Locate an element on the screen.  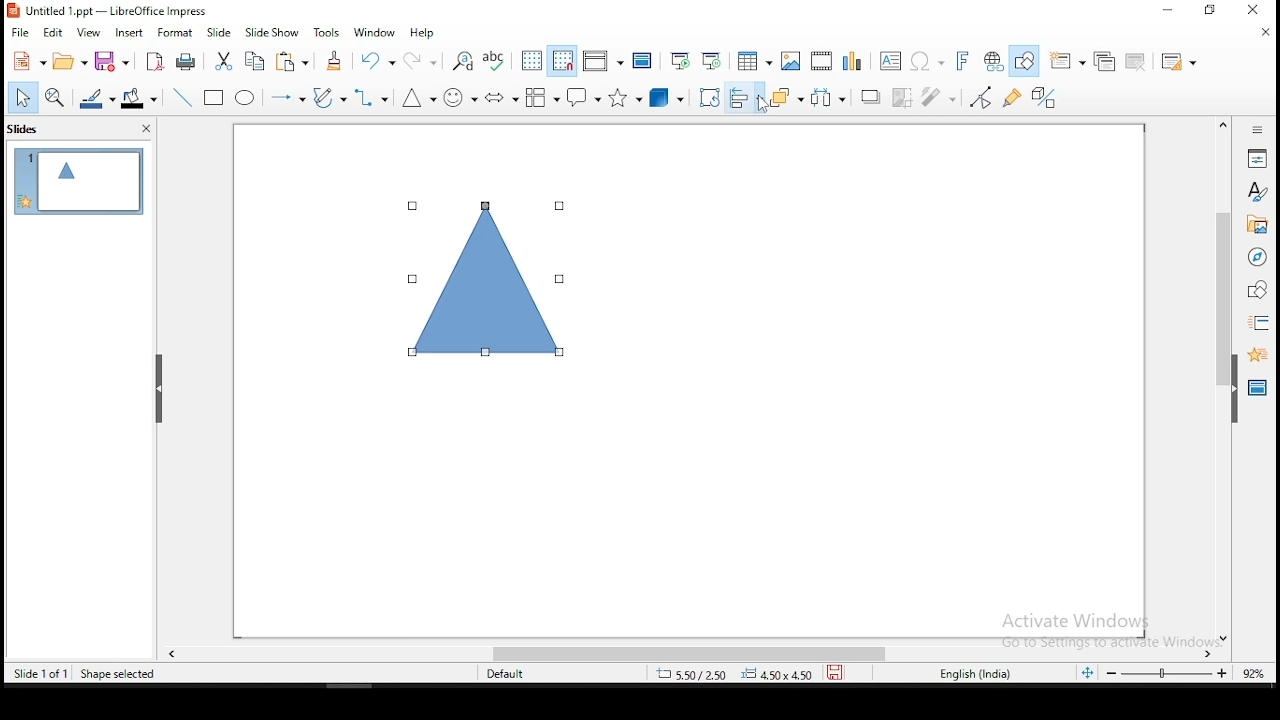
cursor is located at coordinates (763, 108).